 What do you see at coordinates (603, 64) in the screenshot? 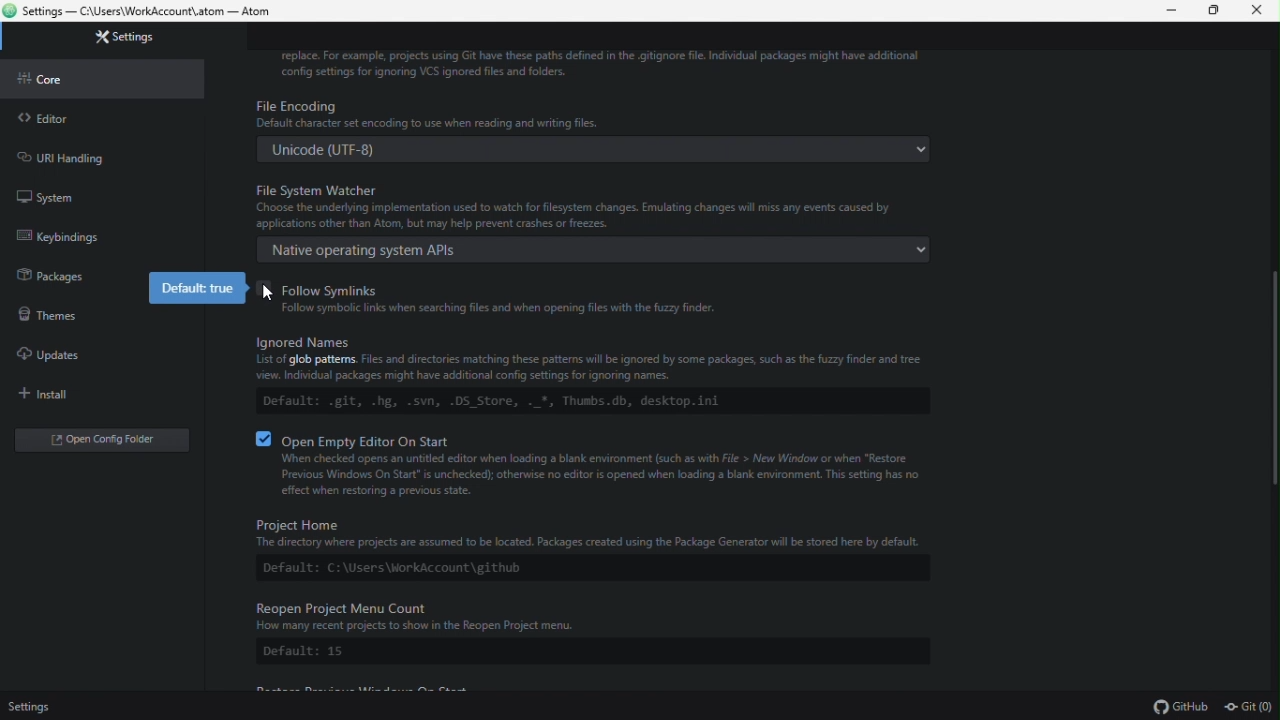
I see `text` at bounding box center [603, 64].